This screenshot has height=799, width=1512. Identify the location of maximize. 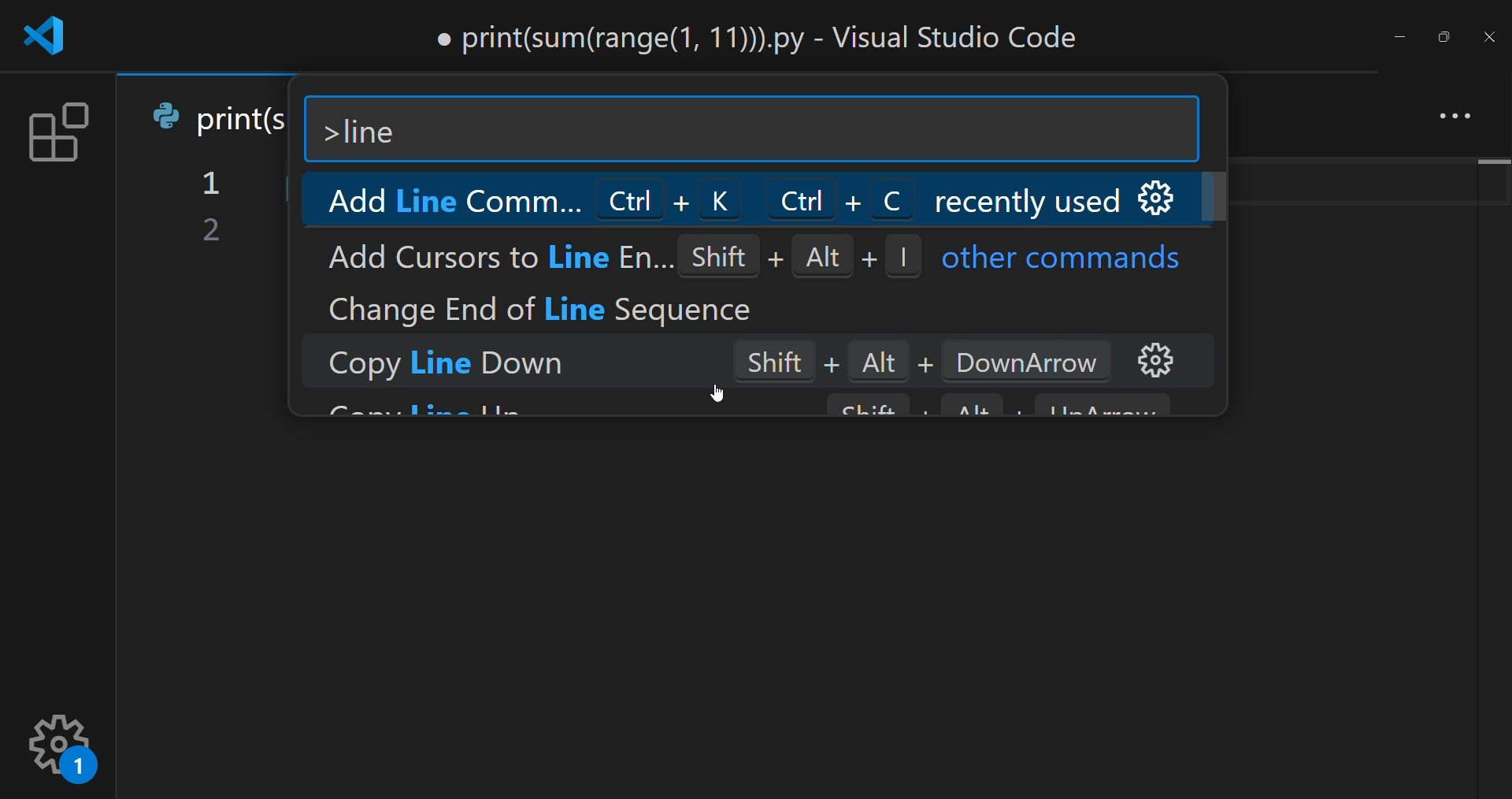
(1440, 33).